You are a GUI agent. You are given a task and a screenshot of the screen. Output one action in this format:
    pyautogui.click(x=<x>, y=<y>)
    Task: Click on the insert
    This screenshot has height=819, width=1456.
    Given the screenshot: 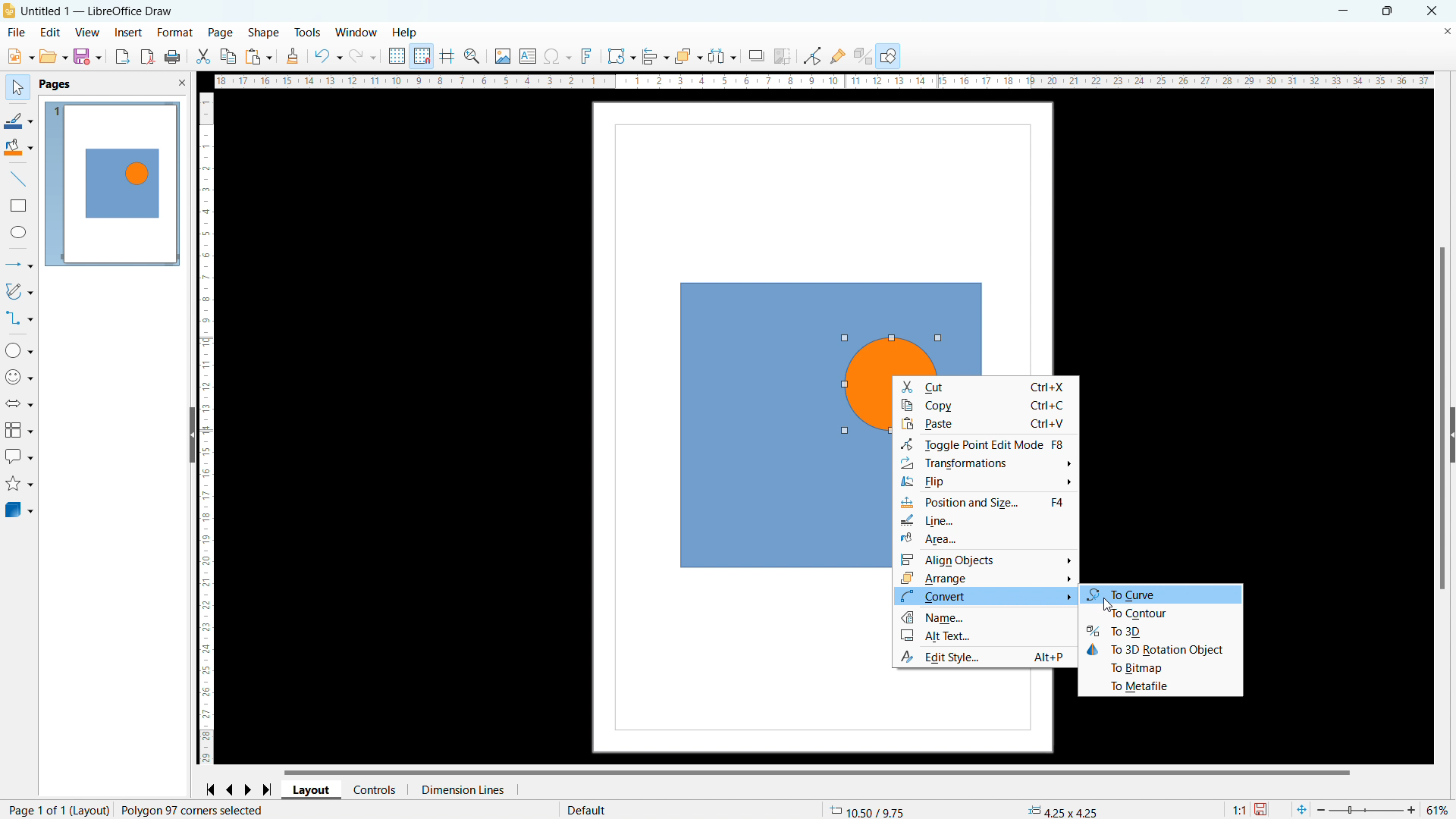 What is the action you would take?
    pyautogui.click(x=128, y=33)
    